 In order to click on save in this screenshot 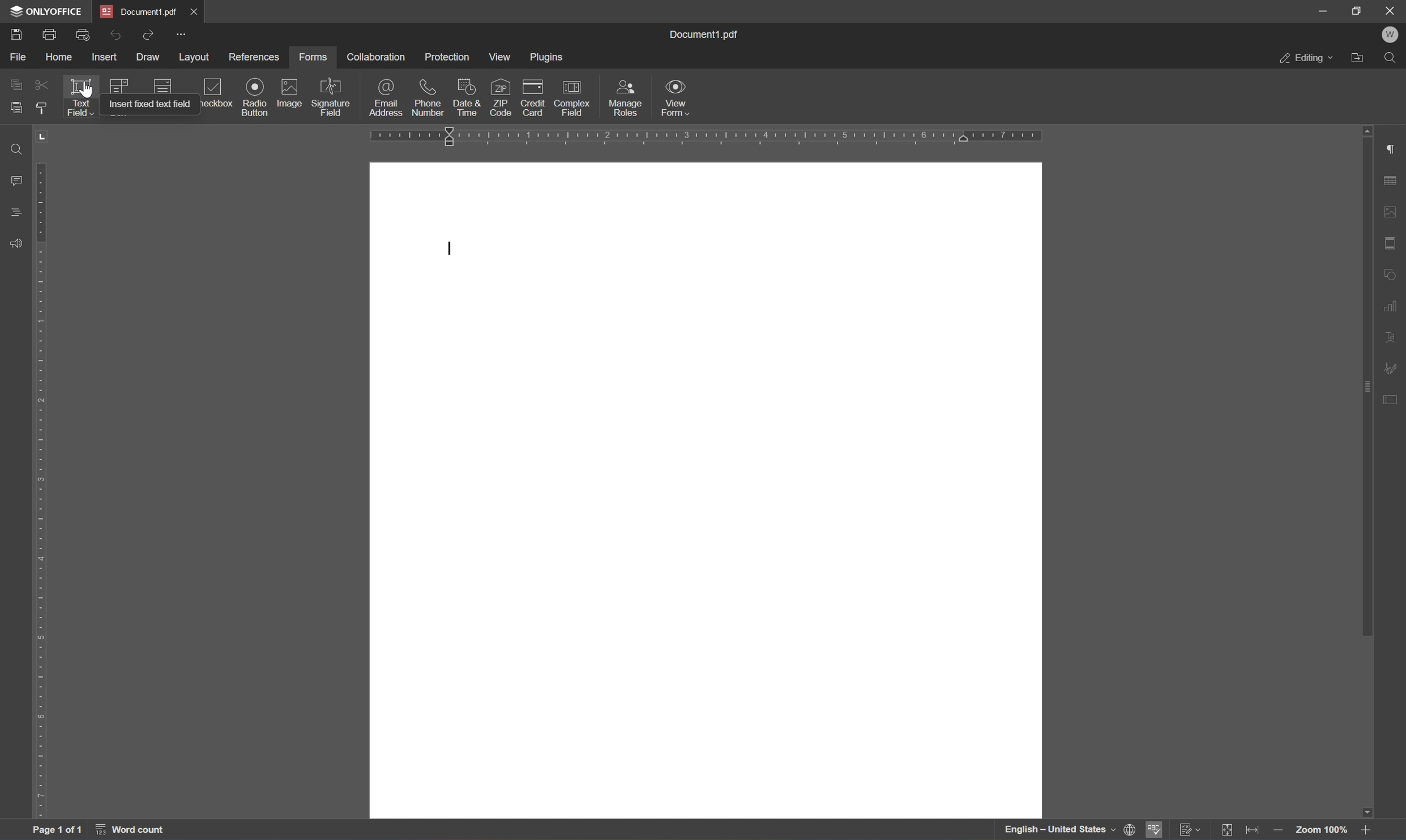, I will do `click(18, 36)`.